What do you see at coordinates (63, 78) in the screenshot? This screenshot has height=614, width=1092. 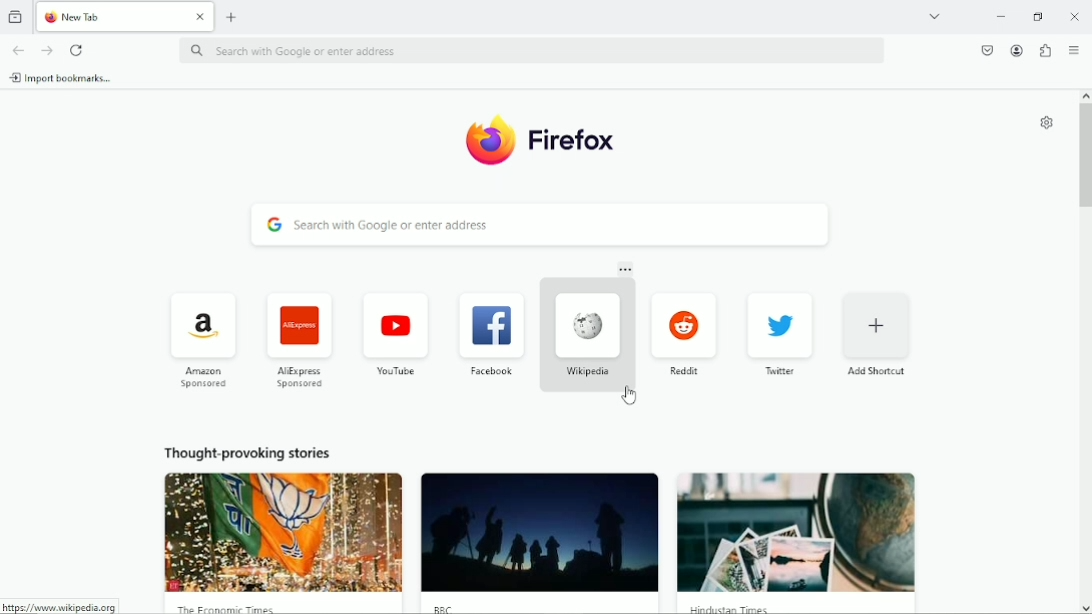 I see `Import bookmarks` at bounding box center [63, 78].